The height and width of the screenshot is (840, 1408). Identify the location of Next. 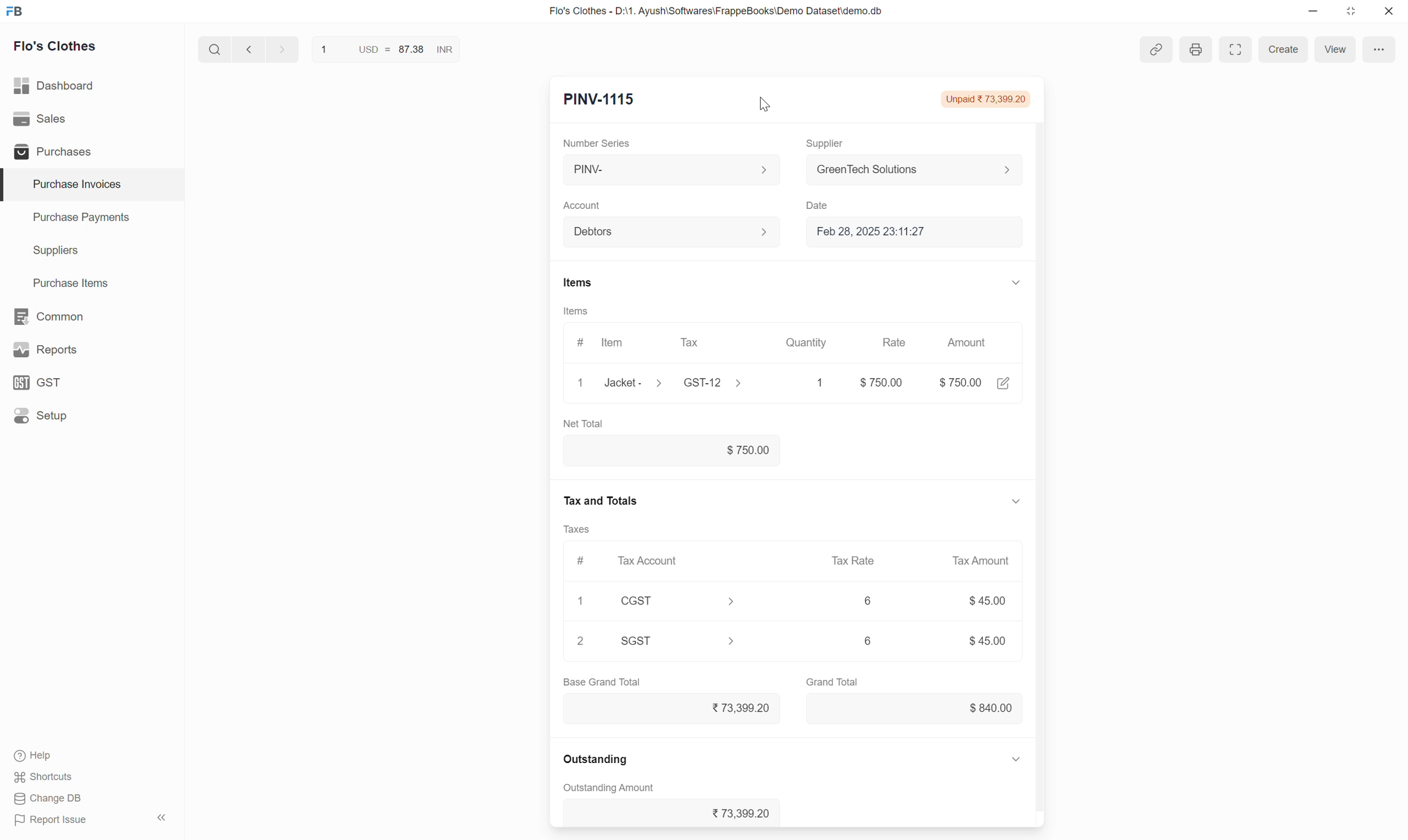
(283, 49).